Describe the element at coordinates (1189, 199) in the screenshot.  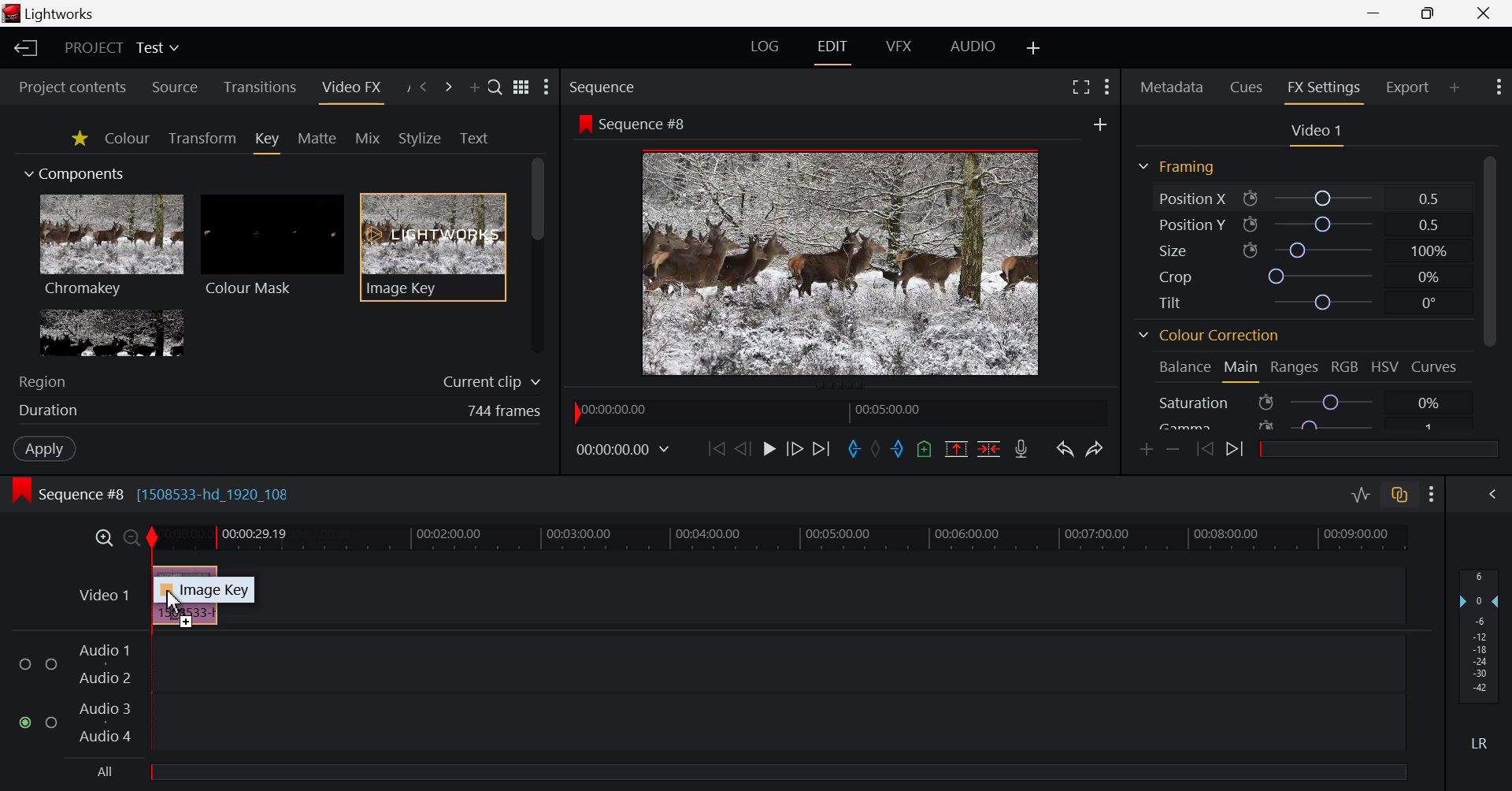
I see `Position X` at that location.